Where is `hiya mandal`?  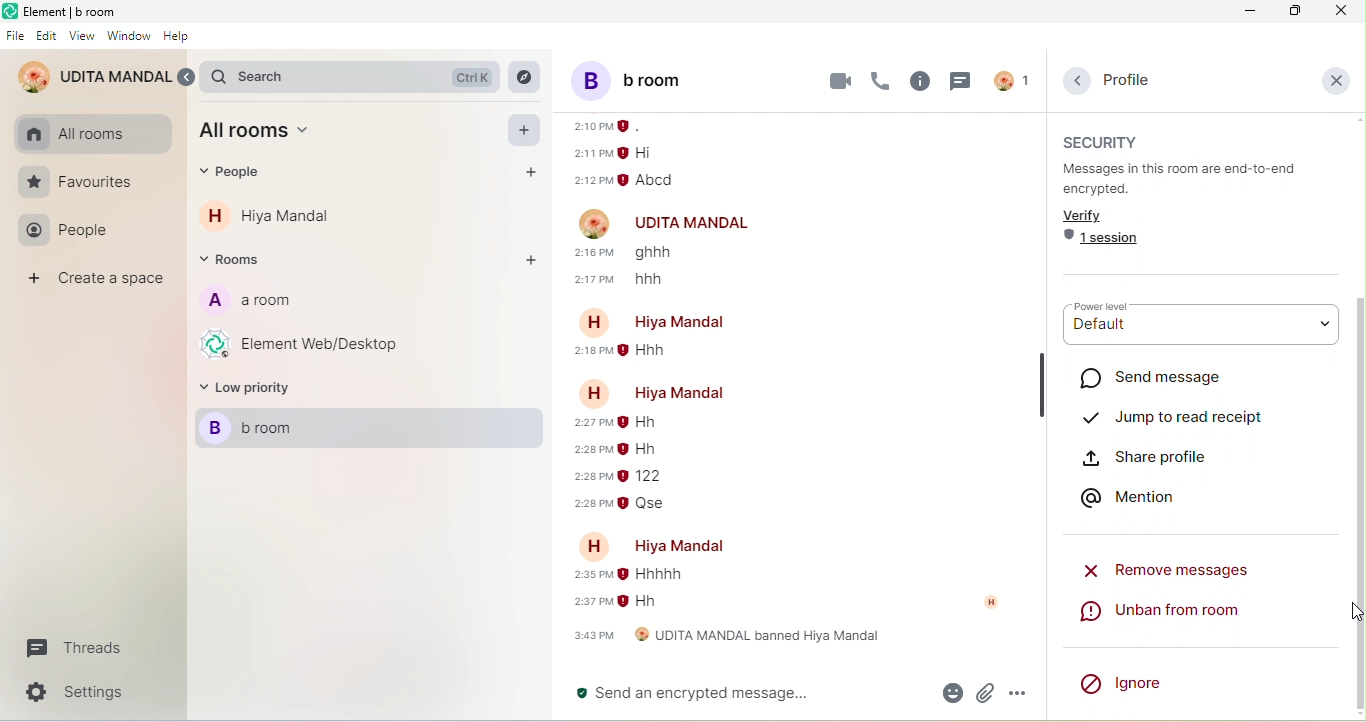 hiya mandal is located at coordinates (289, 216).